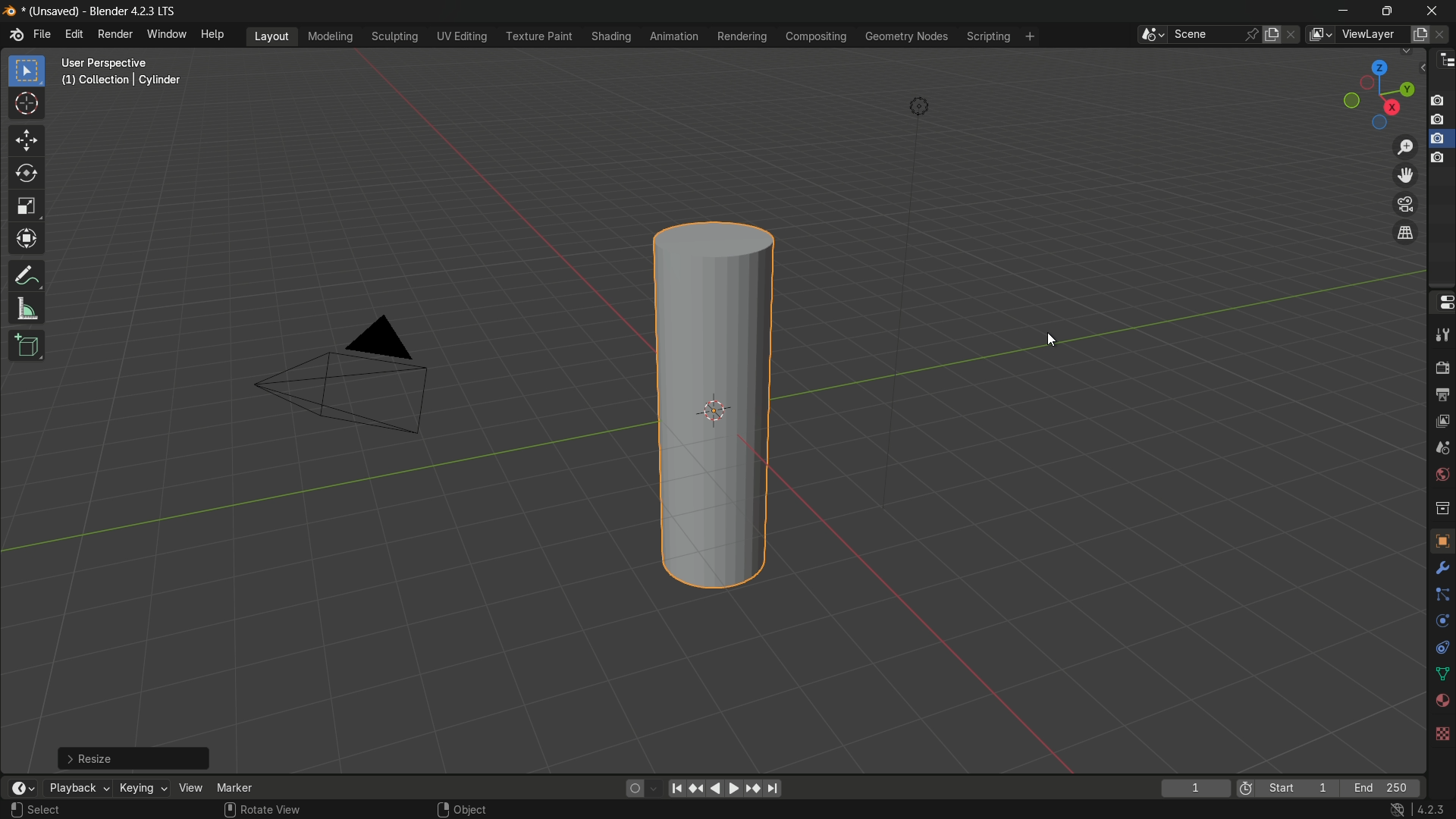 This screenshot has width=1456, height=819. What do you see at coordinates (1251, 35) in the screenshot?
I see `pin scene to workplace` at bounding box center [1251, 35].